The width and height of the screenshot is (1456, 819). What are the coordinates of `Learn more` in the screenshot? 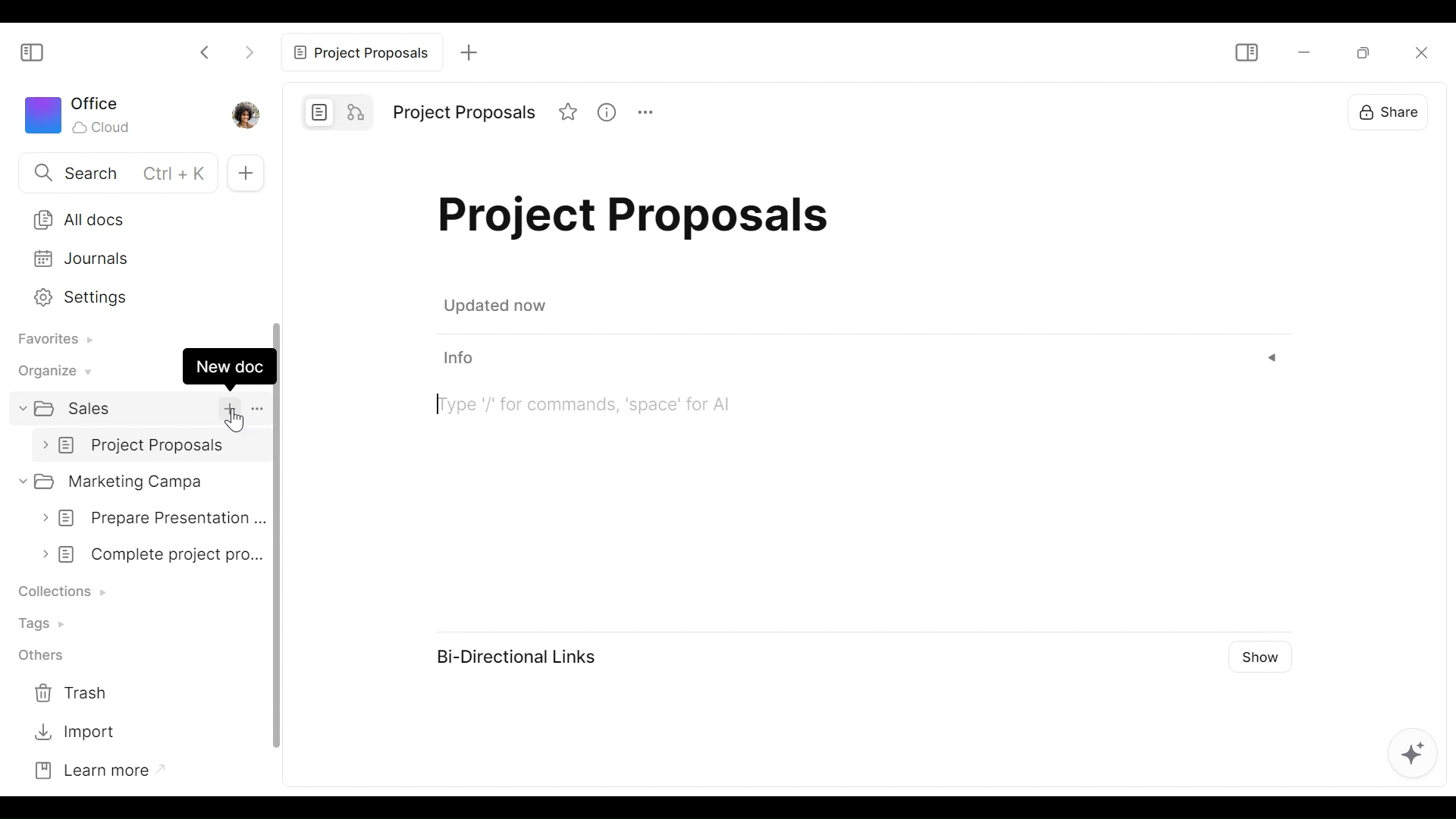 It's located at (96, 769).